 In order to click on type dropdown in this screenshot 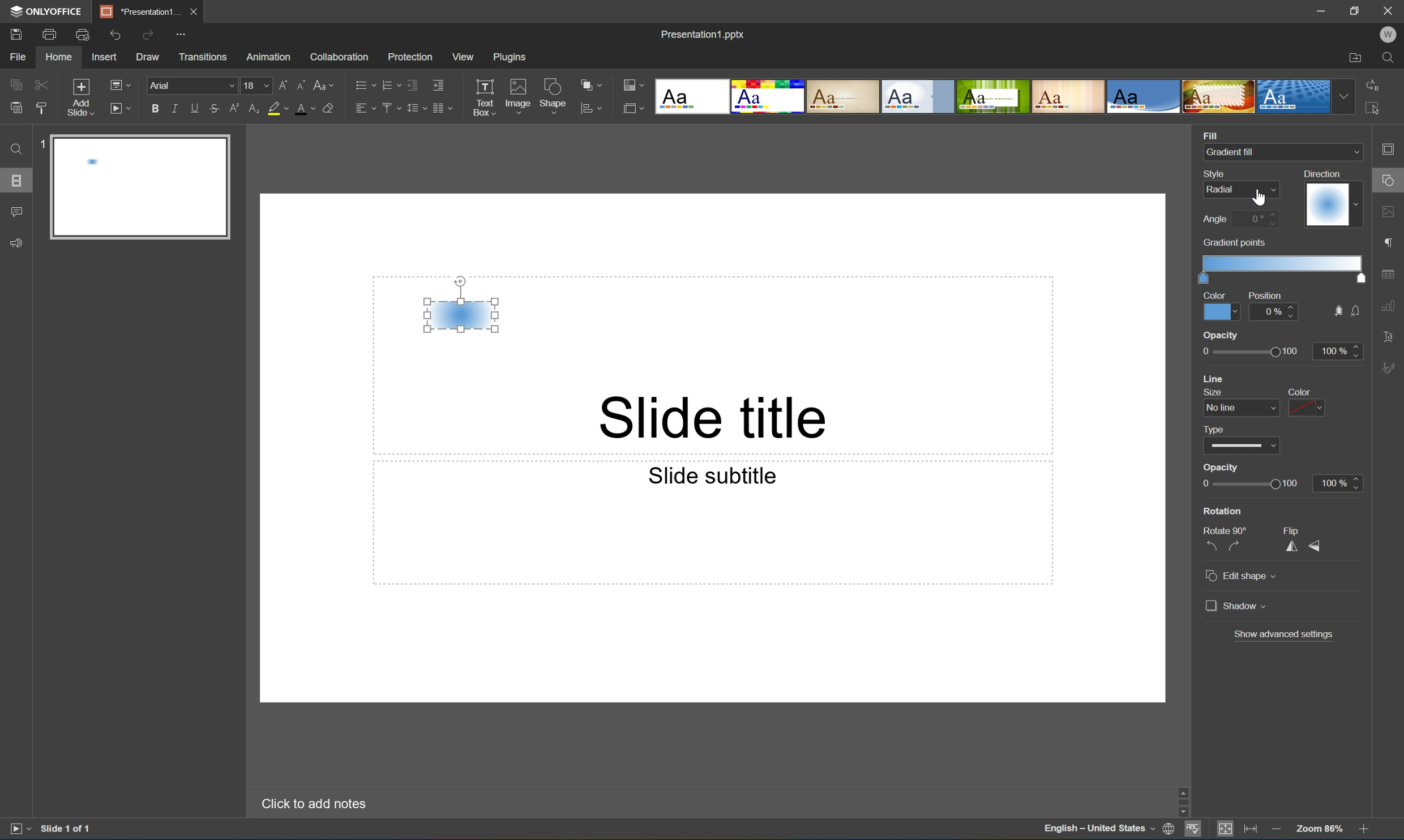, I will do `click(1243, 446)`.